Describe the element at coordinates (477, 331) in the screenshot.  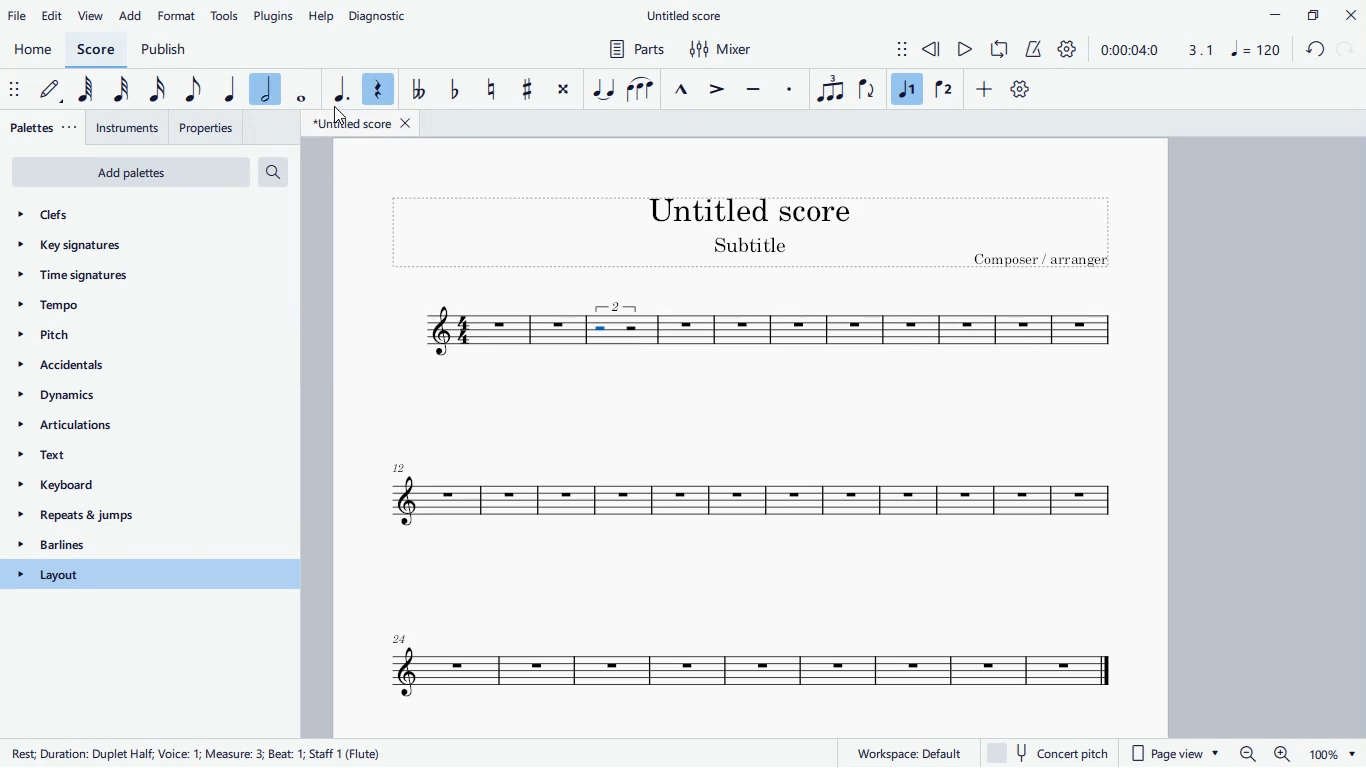
I see `score` at that location.